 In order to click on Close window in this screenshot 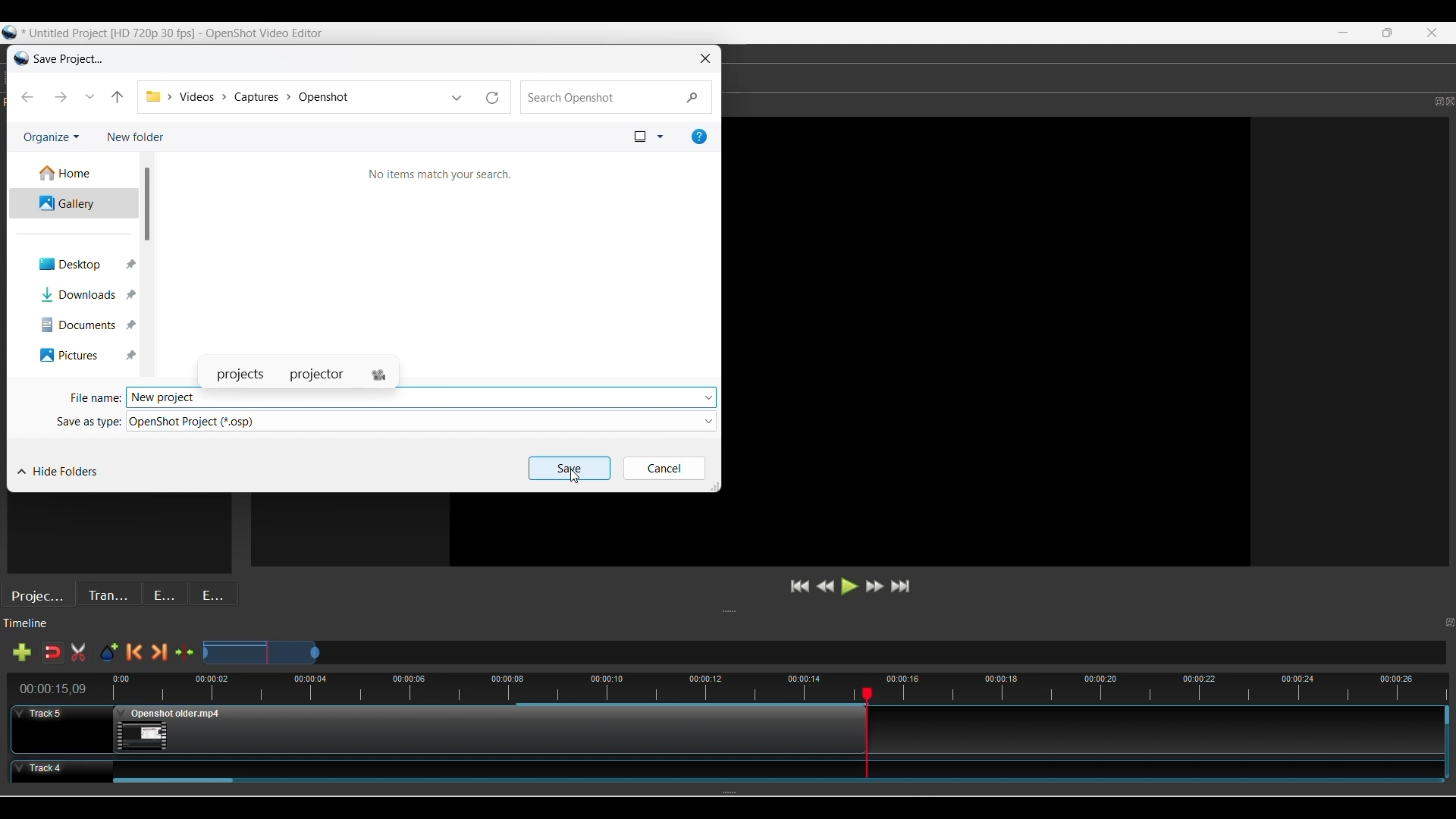, I will do `click(705, 58)`.